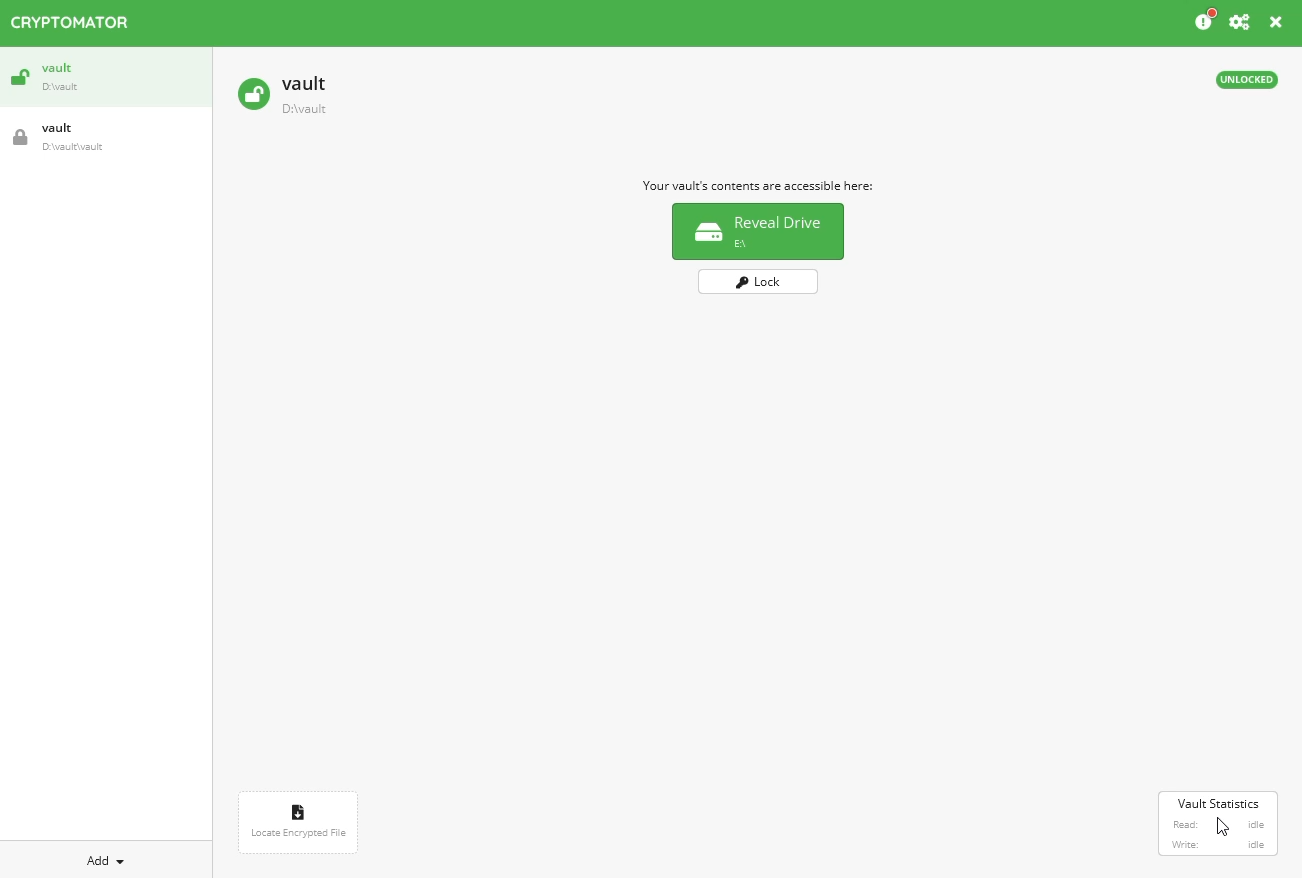 The image size is (1302, 878). What do you see at coordinates (758, 231) in the screenshot?
I see `reveal drive` at bounding box center [758, 231].